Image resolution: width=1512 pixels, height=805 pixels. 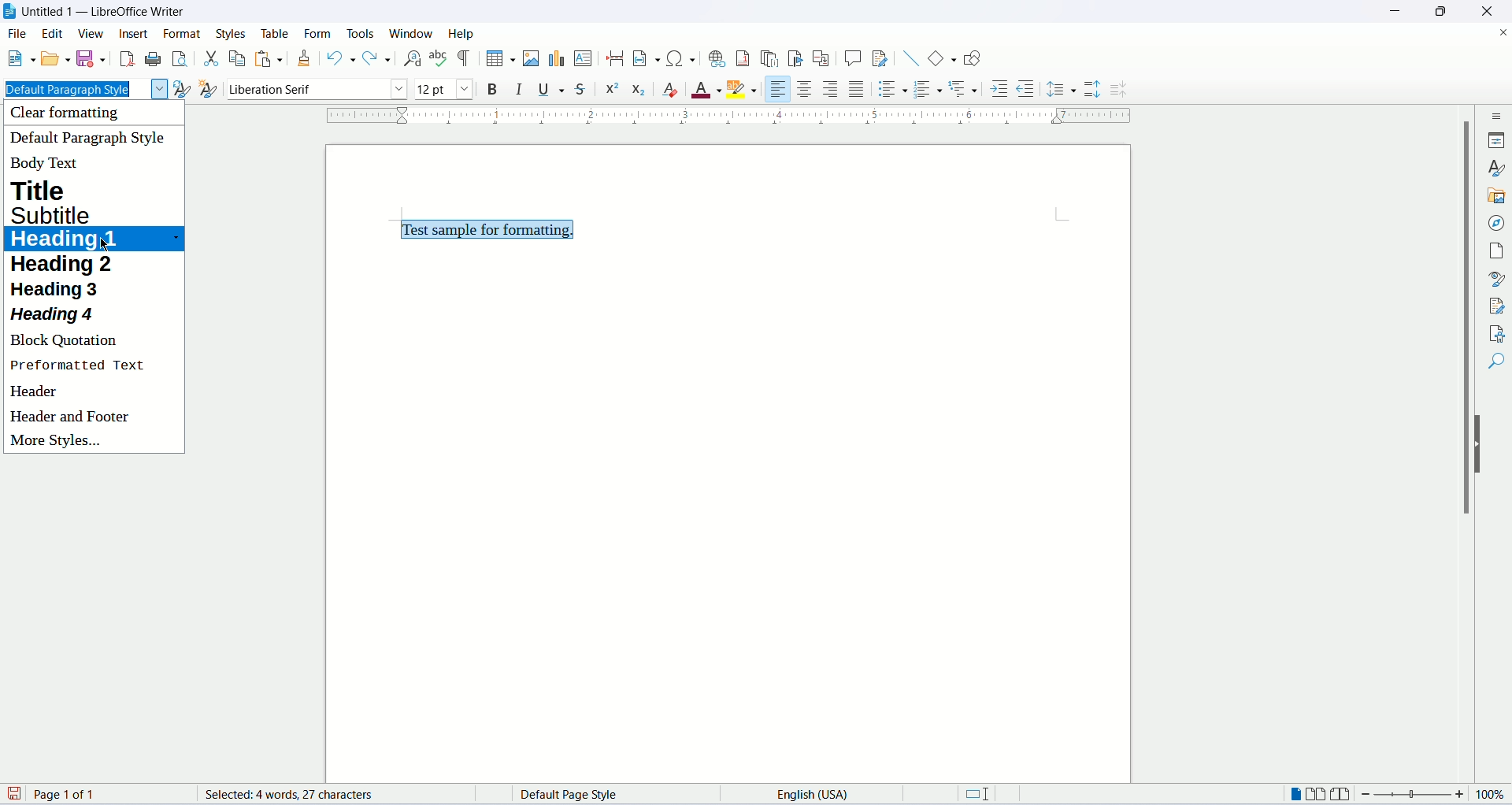 I want to click on header, so click(x=35, y=393).